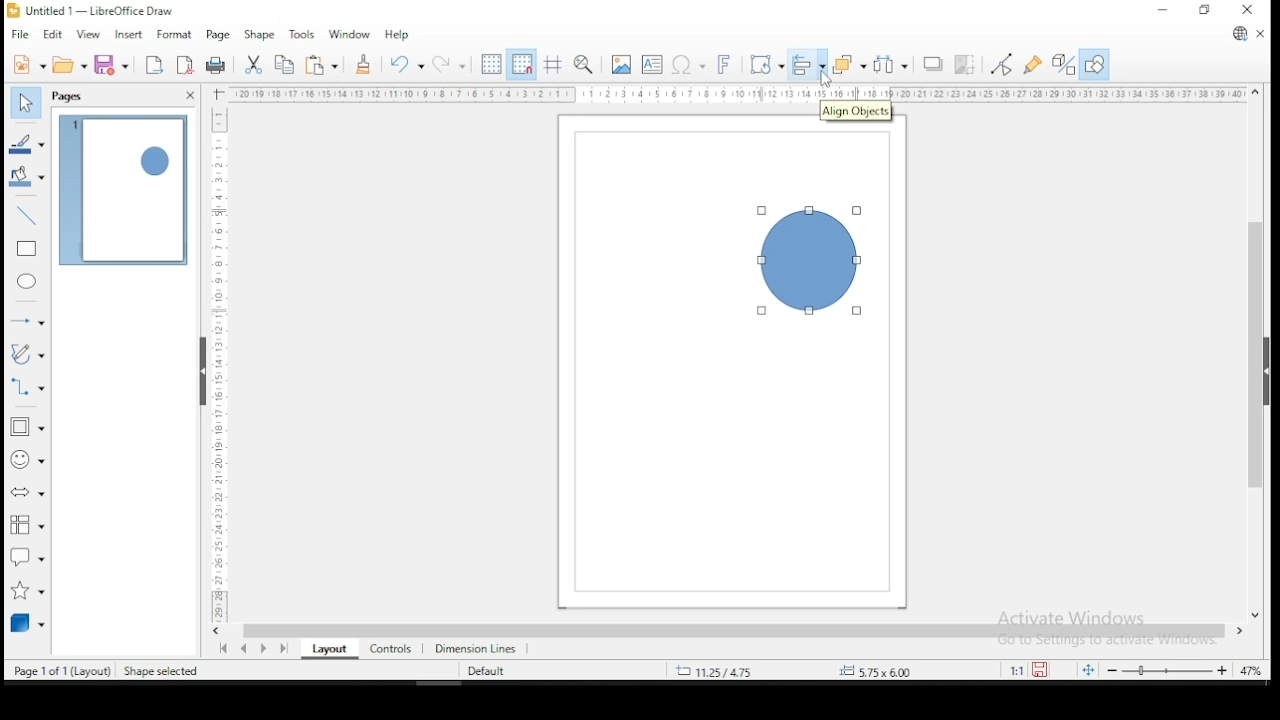  What do you see at coordinates (1033, 66) in the screenshot?
I see `show gluepoint functions` at bounding box center [1033, 66].